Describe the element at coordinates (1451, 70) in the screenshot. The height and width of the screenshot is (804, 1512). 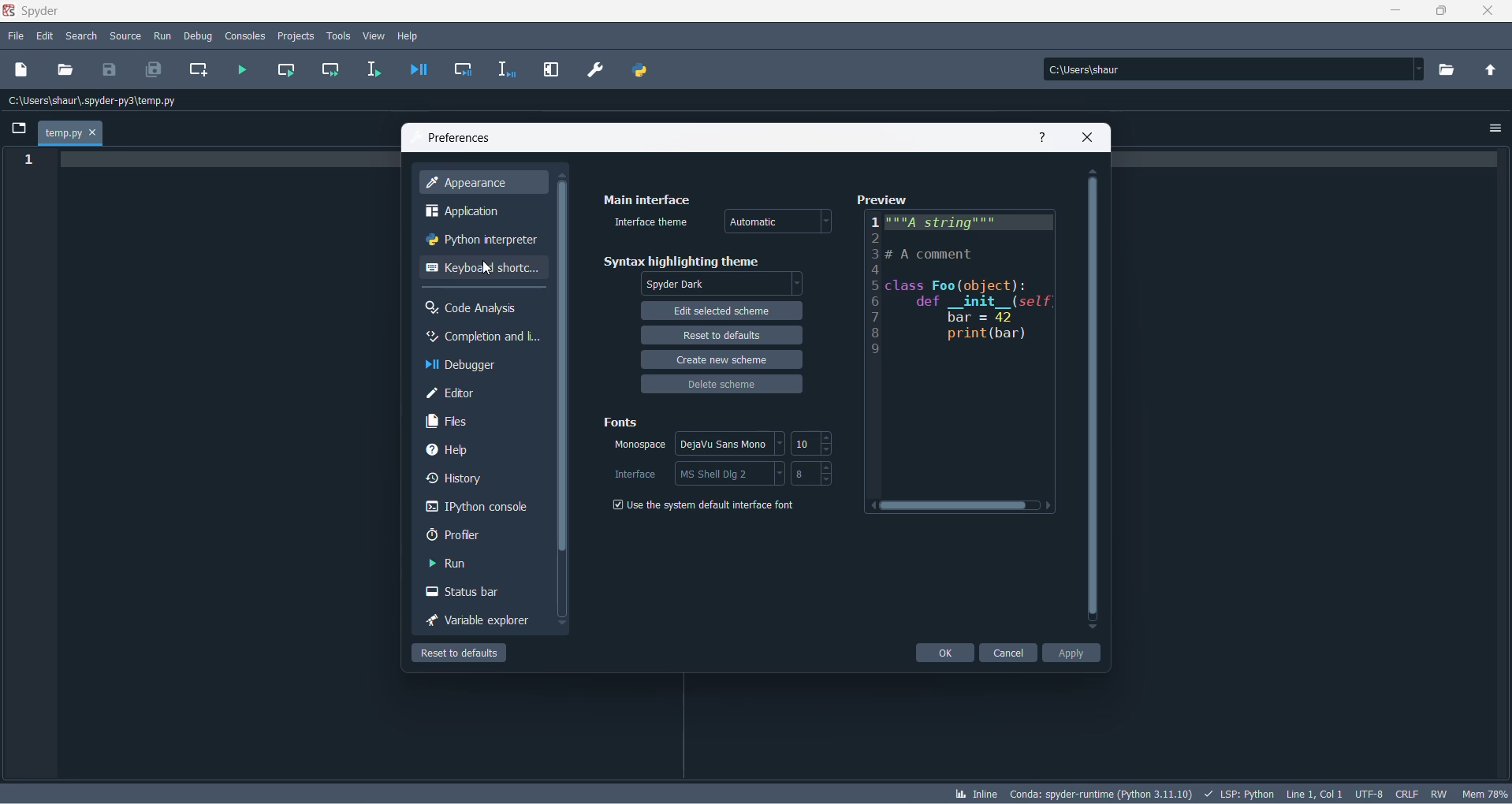
I see `directory` at that location.